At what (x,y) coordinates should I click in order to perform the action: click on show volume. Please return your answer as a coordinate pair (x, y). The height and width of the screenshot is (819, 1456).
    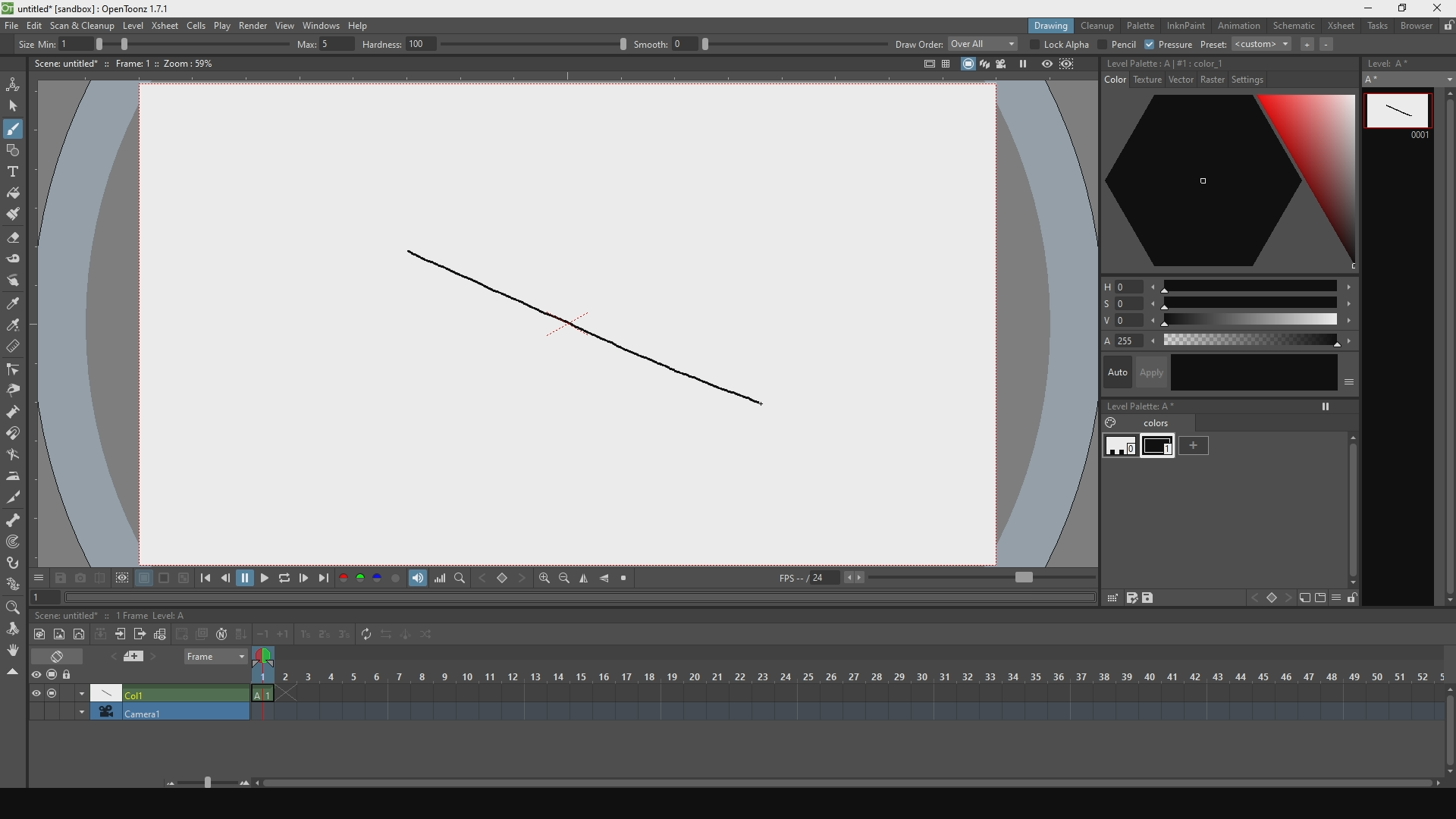
    Looking at the image, I should click on (417, 579).